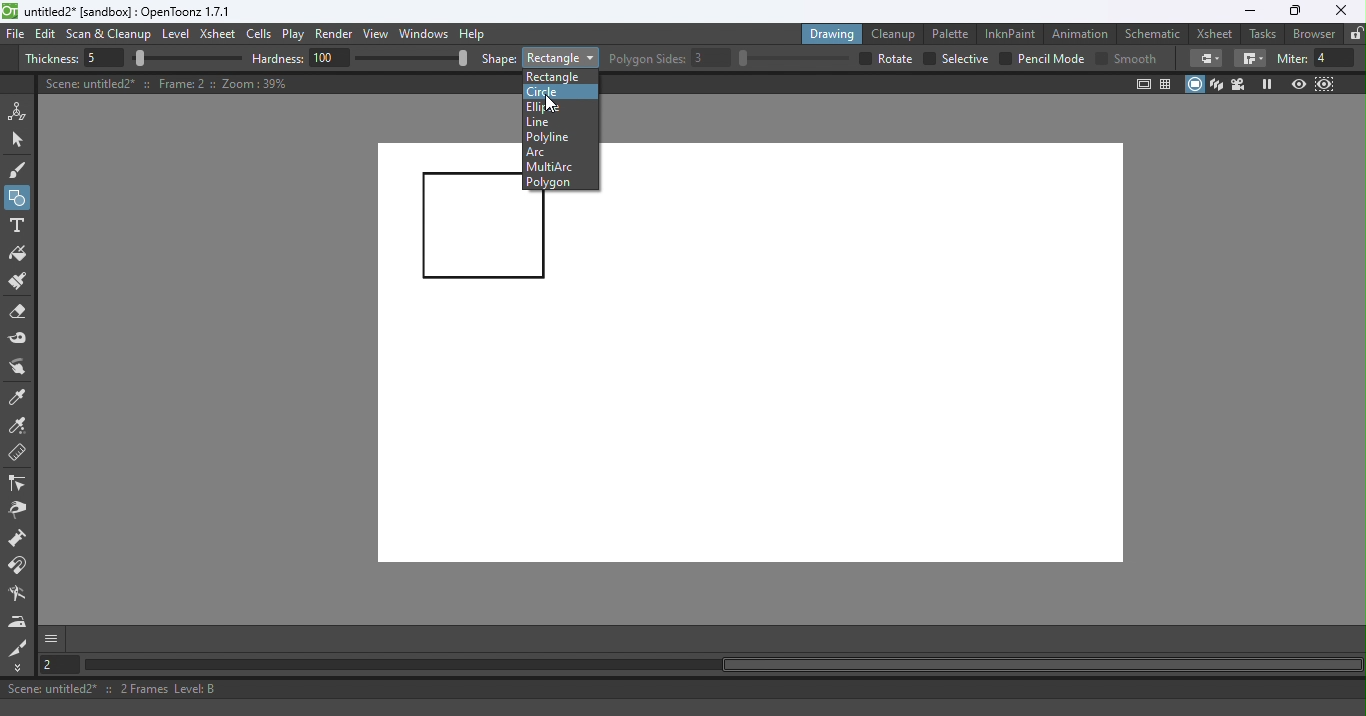 Image resolution: width=1366 pixels, height=716 pixels. I want to click on Blender tool, so click(21, 595).